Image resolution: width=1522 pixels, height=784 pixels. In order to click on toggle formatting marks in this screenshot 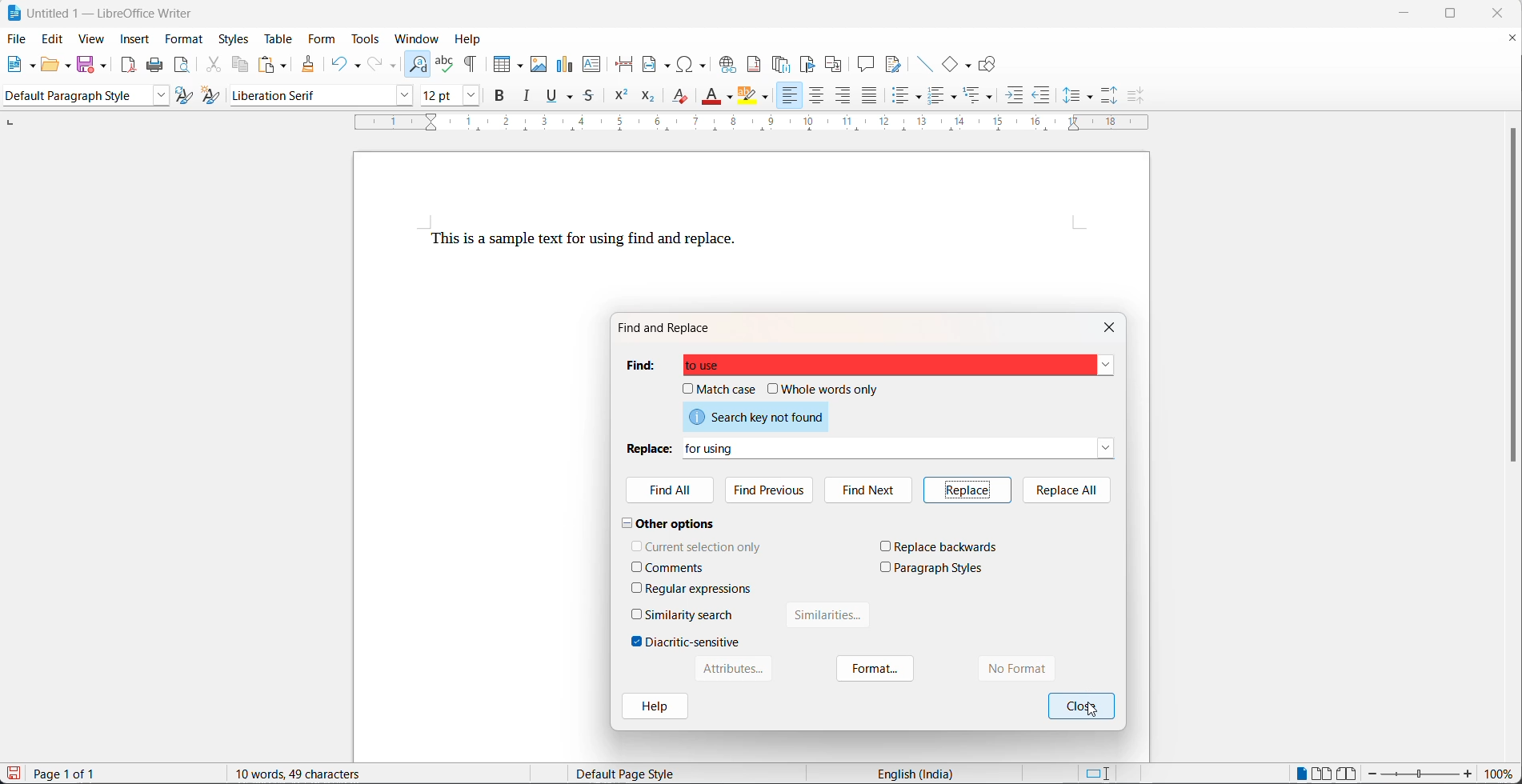, I will do `click(475, 59)`.